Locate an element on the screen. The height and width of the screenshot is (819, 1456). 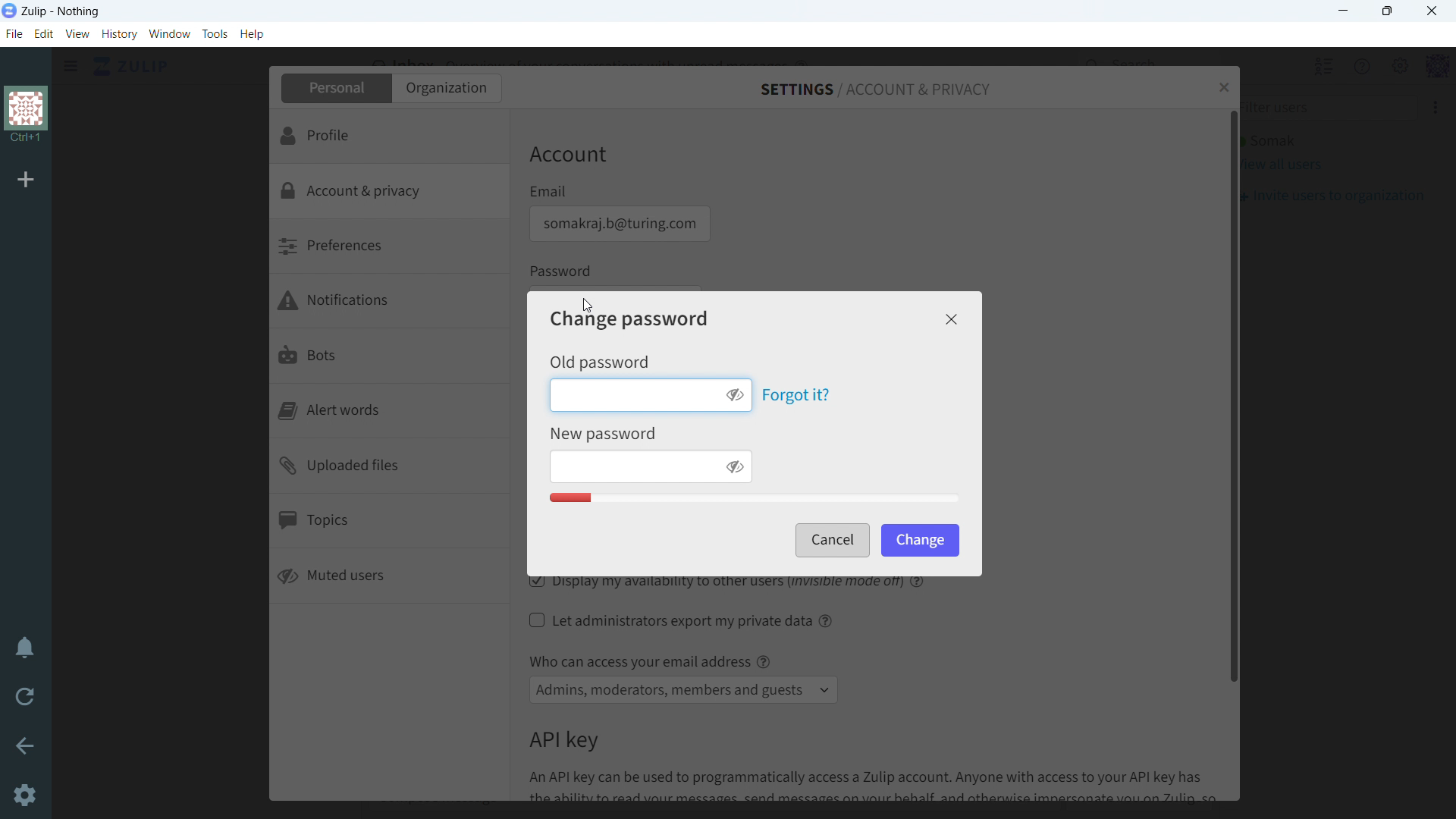
personal is located at coordinates (334, 88).